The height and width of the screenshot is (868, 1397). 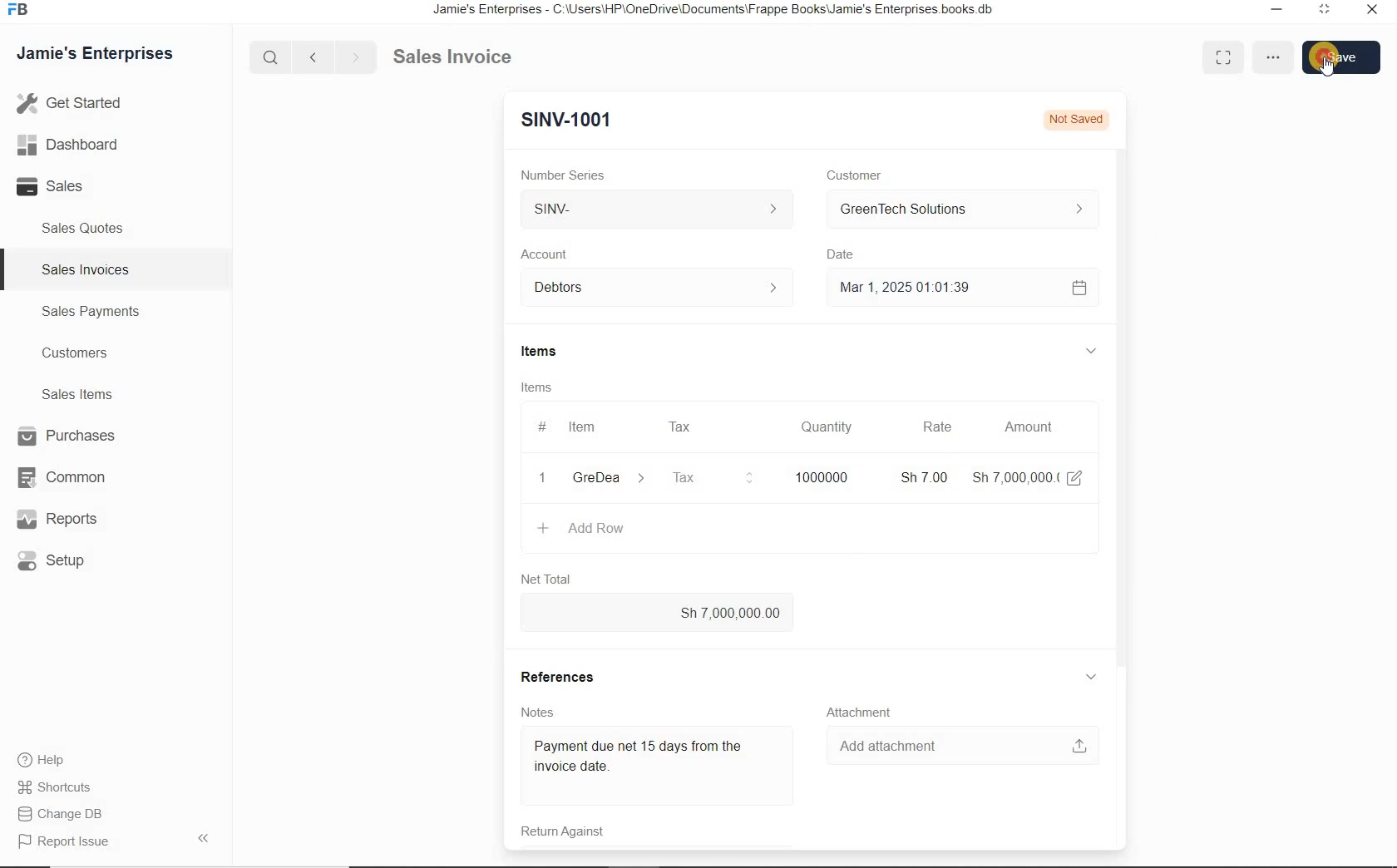 What do you see at coordinates (718, 11) in the screenshot?
I see `Jamie's Enterprises - C:\Users\HP\OneDrive\Documents\Frappe Books\Jamie's Enterprises books.db` at bounding box center [718, 11].